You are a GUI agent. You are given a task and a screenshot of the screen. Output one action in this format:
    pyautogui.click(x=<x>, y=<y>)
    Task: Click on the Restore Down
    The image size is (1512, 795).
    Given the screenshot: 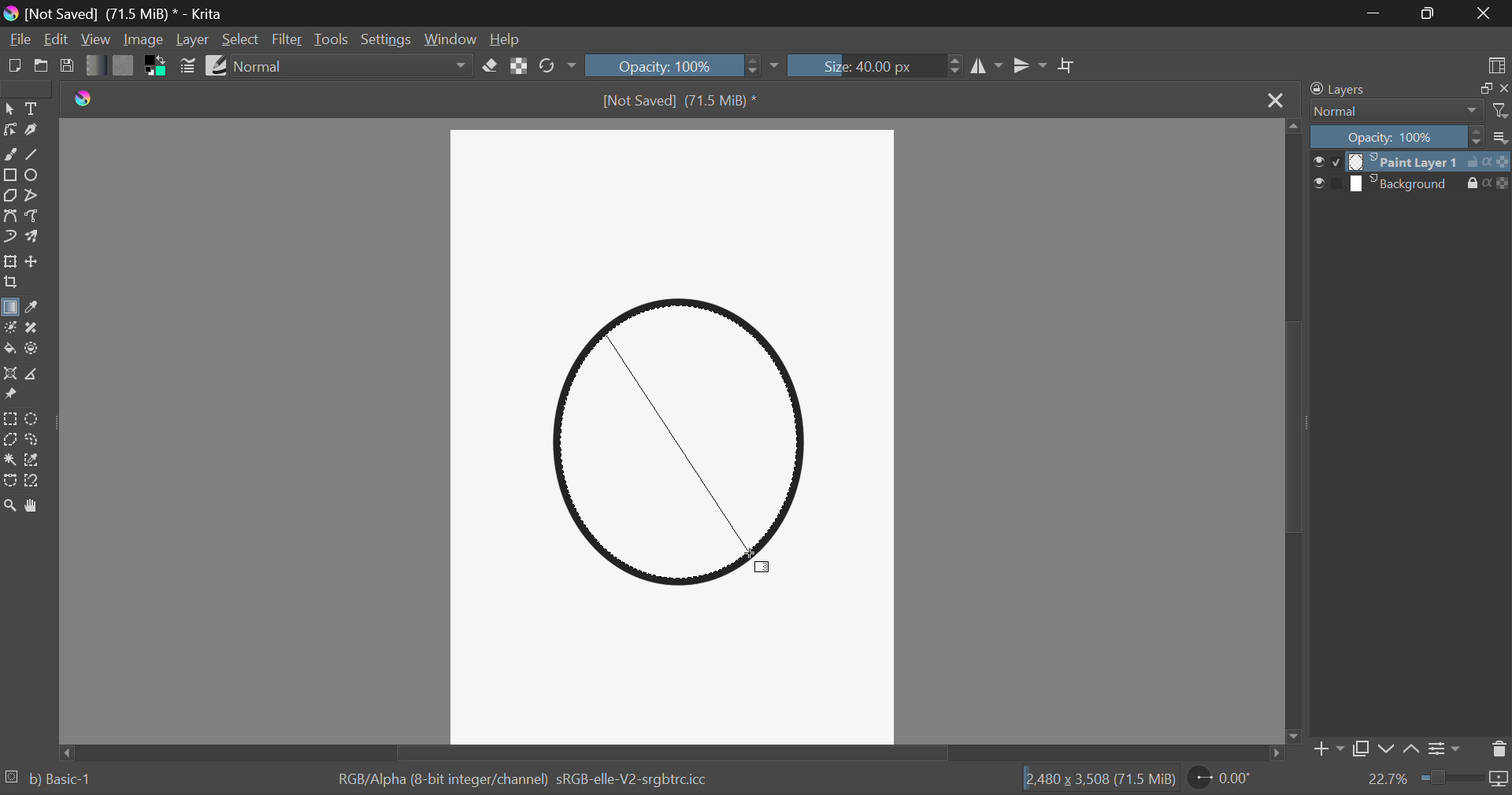 What is the action you would take?
    pyautogui.click(x=1374, y=14)
    